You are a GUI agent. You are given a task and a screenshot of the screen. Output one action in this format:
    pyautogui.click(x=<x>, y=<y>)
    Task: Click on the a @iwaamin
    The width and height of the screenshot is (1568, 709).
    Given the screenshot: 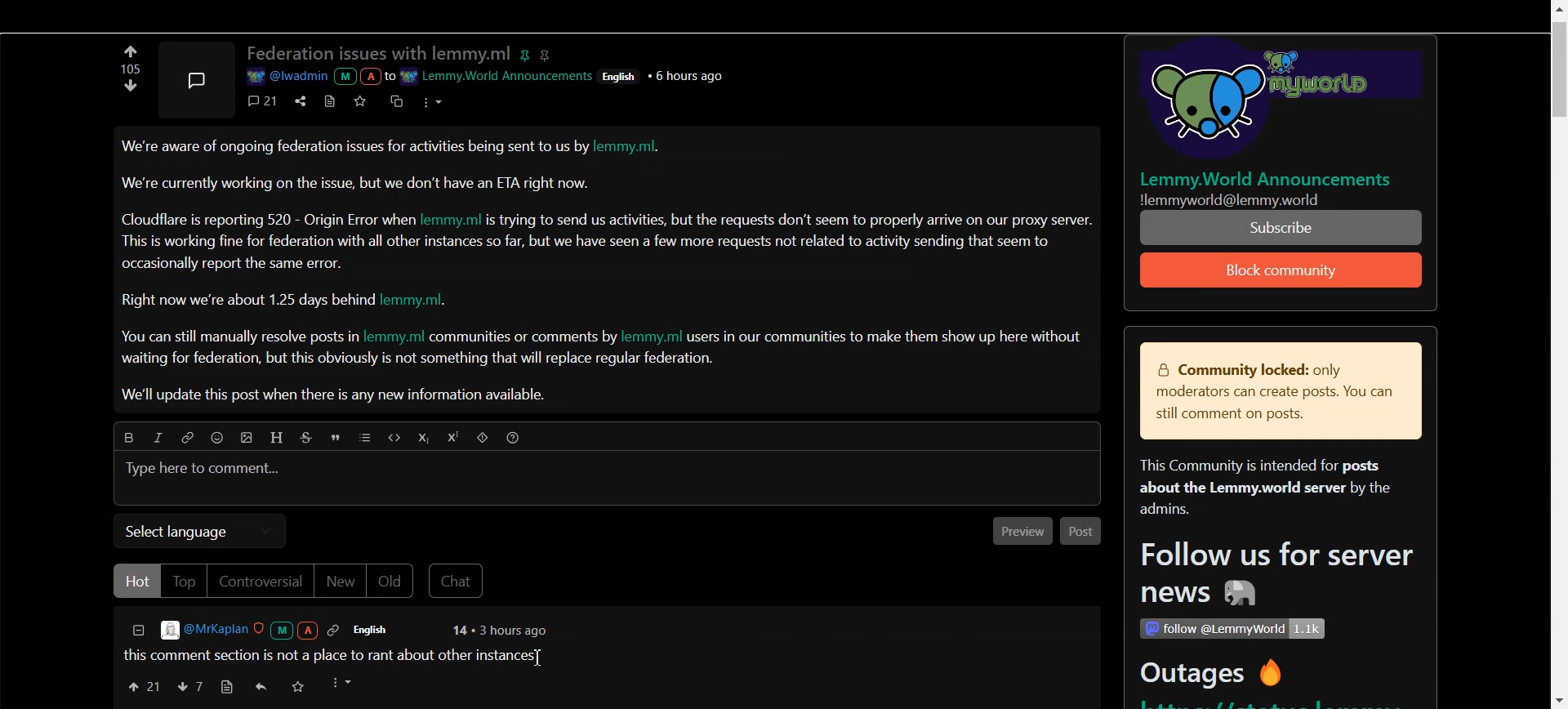 What is the action you would take?
    pyautogui.click(x=318, y=77)
    